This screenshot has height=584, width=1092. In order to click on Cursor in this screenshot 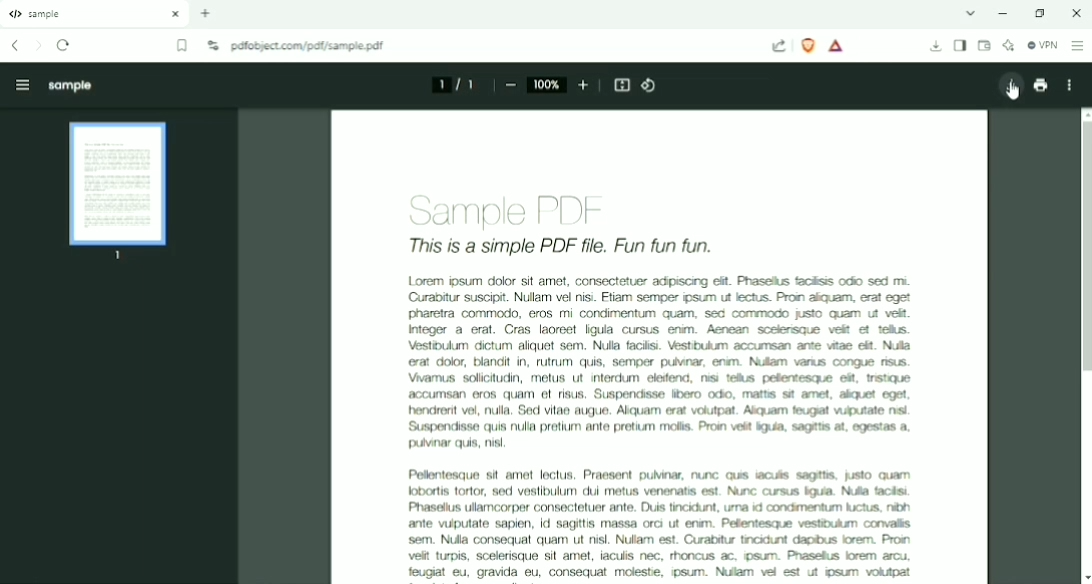, I will do `click(1012, 91)`.